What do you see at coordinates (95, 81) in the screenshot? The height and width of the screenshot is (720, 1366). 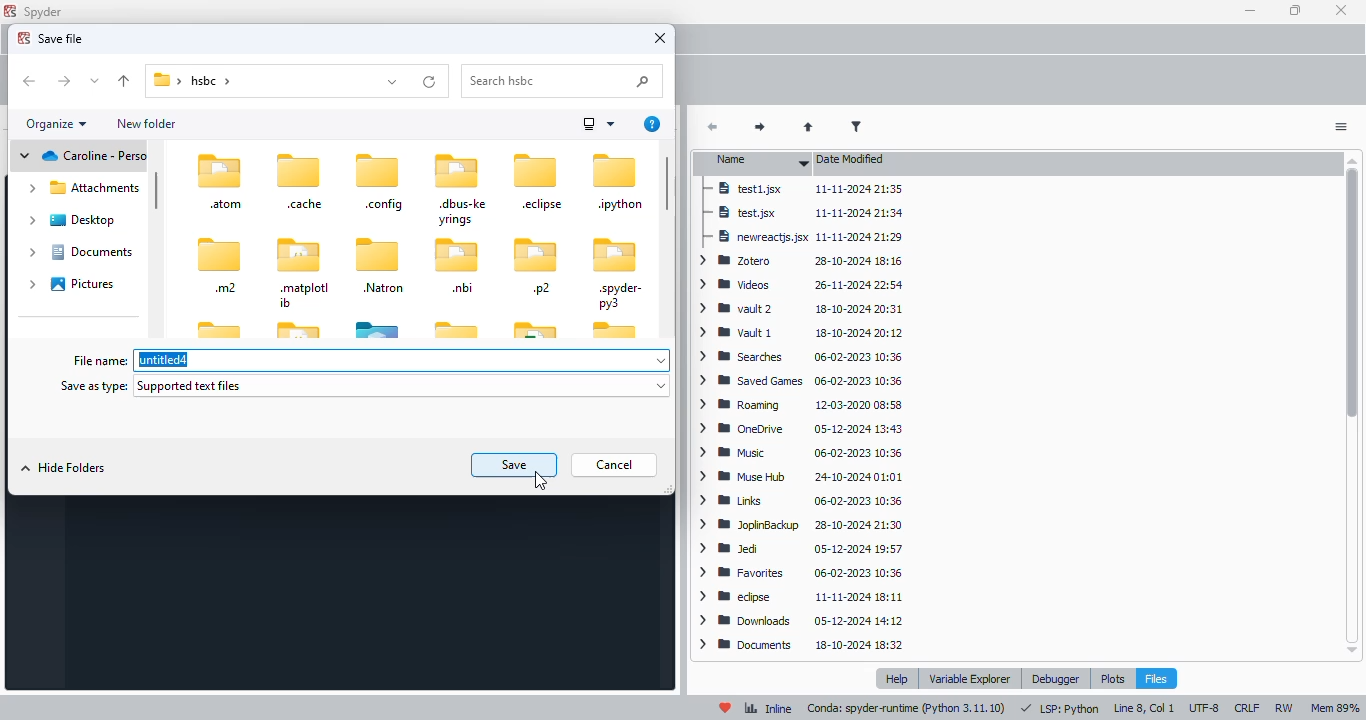 I see `recent locations` at bounding box center [95, 81].